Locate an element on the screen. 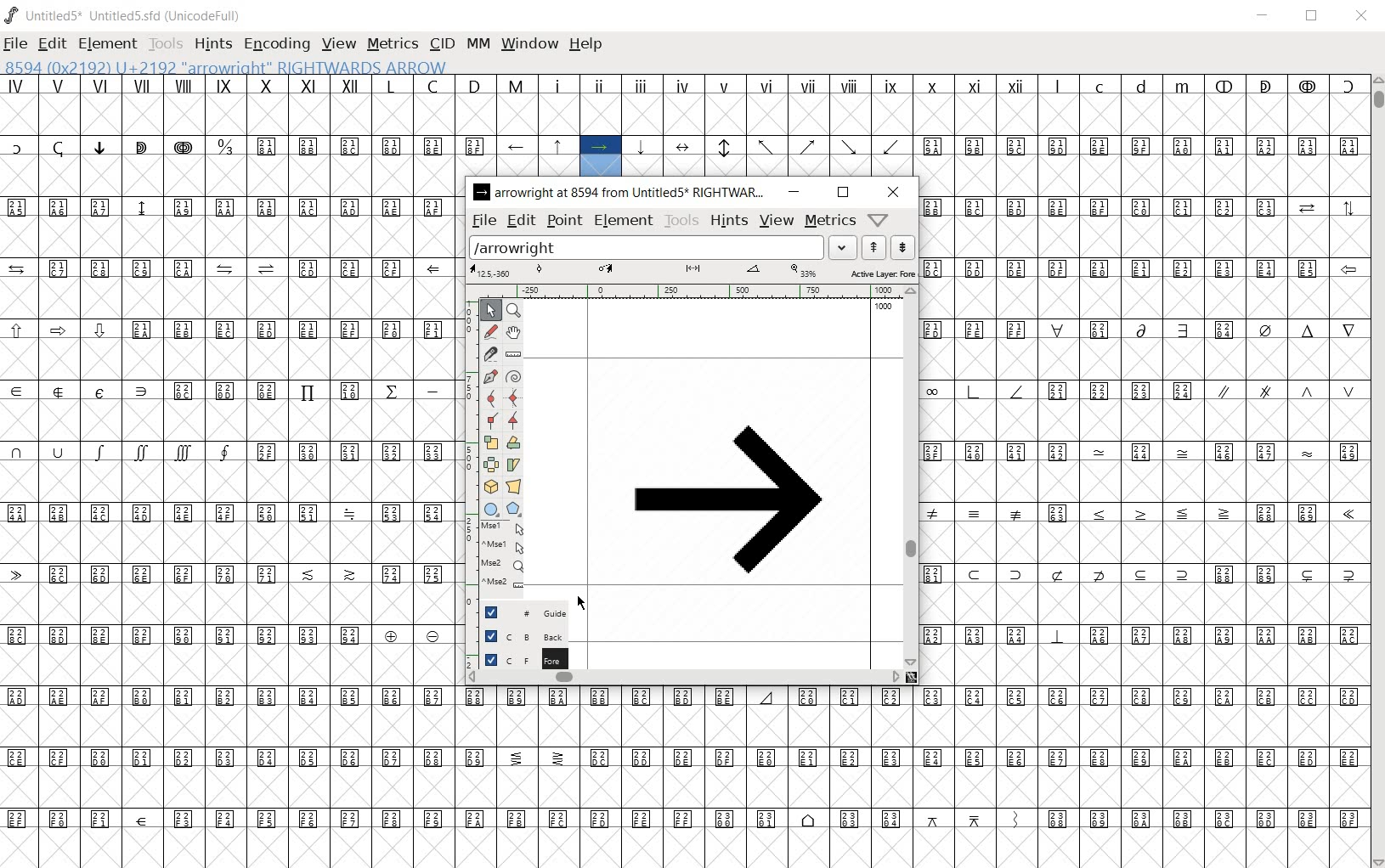 This screenshot has height=868, width=1385. scroll by hand is located at coordinates (513, 334).